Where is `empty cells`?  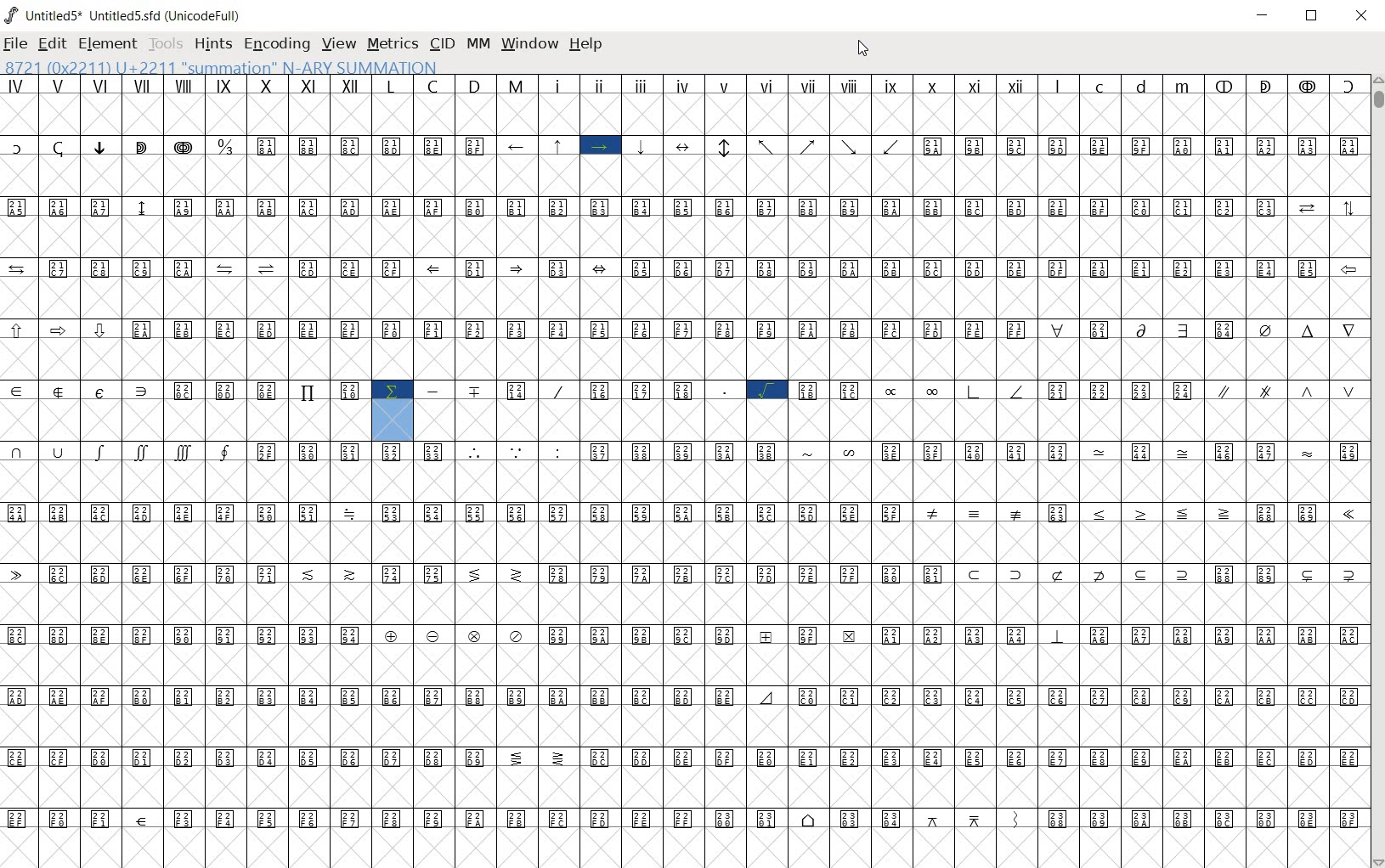
empty cells is located at coordinates (686, 786).